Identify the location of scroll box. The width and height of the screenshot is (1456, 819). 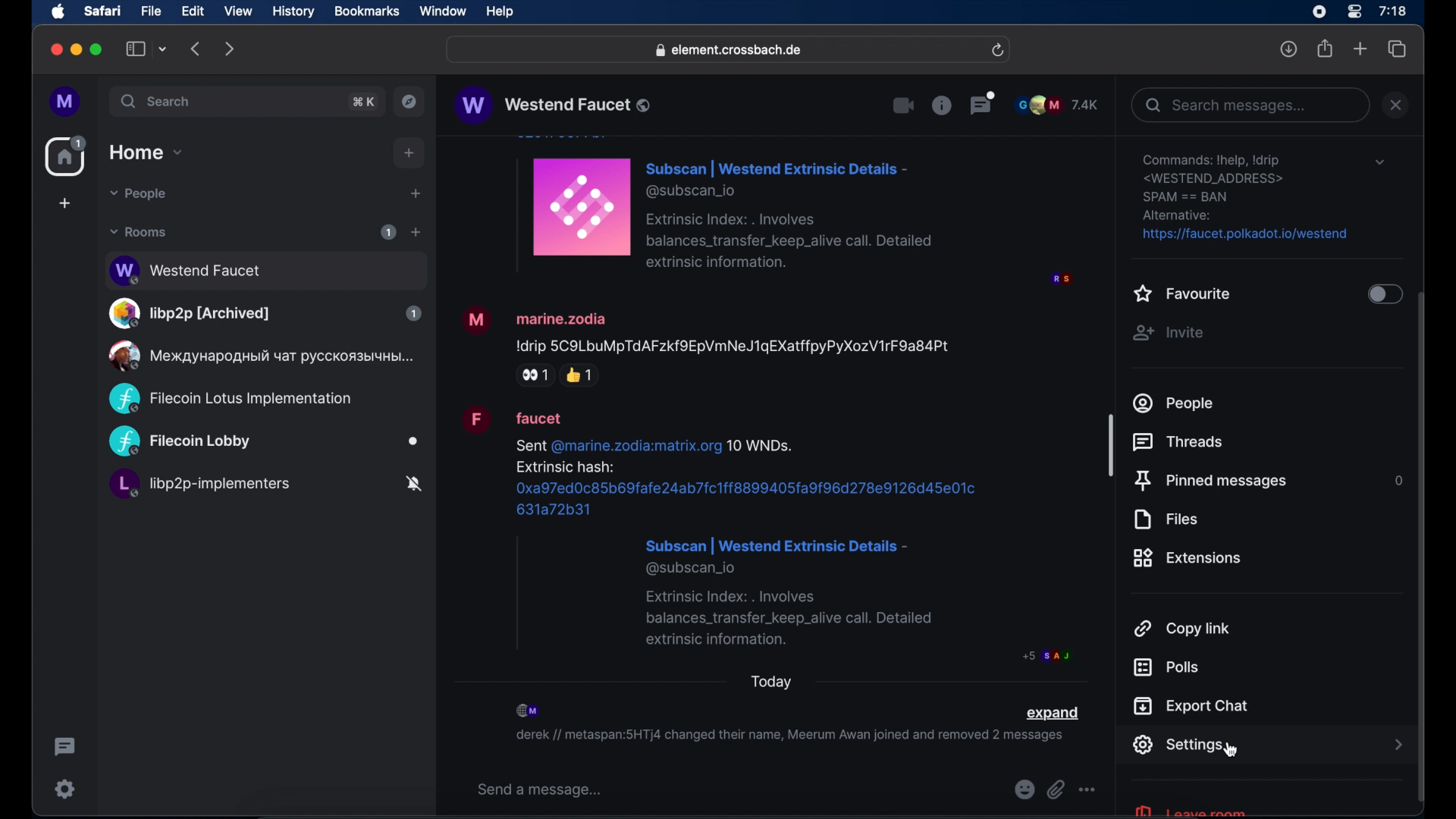
(1111, 444).